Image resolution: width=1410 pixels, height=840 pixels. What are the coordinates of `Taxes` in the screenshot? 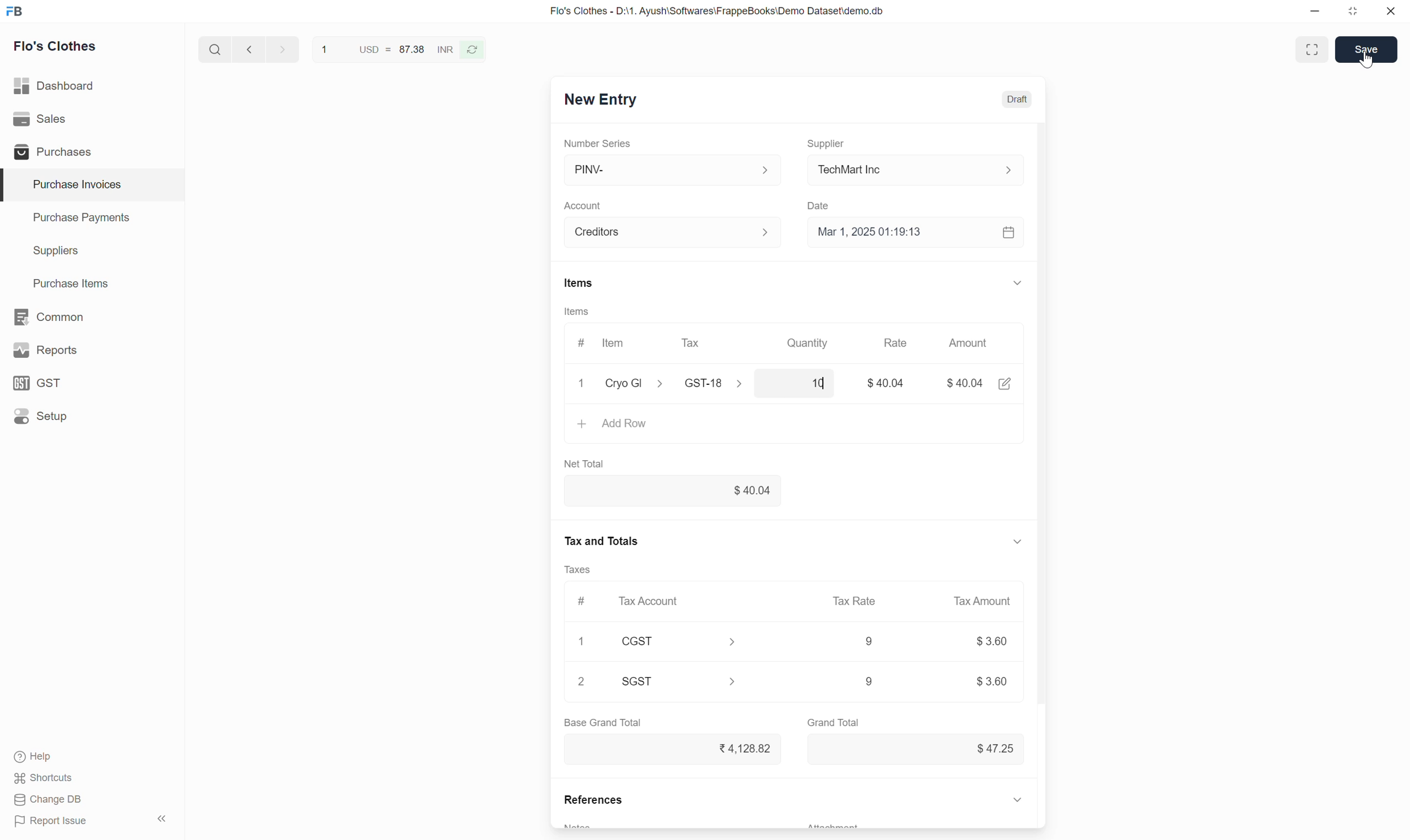 It's located at (582, 570).